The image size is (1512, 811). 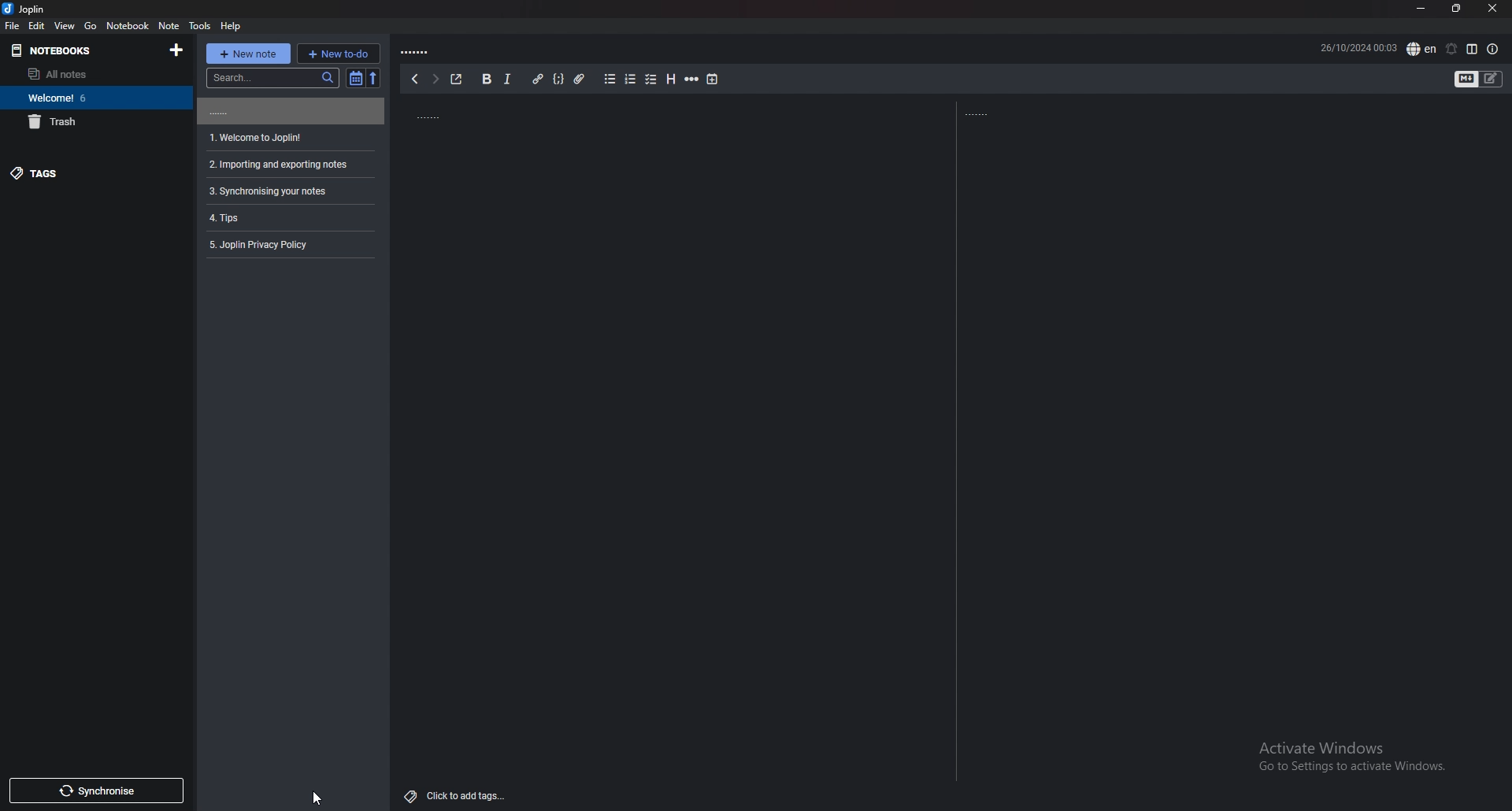 I want to click on tools, so click(x=199, y=24).